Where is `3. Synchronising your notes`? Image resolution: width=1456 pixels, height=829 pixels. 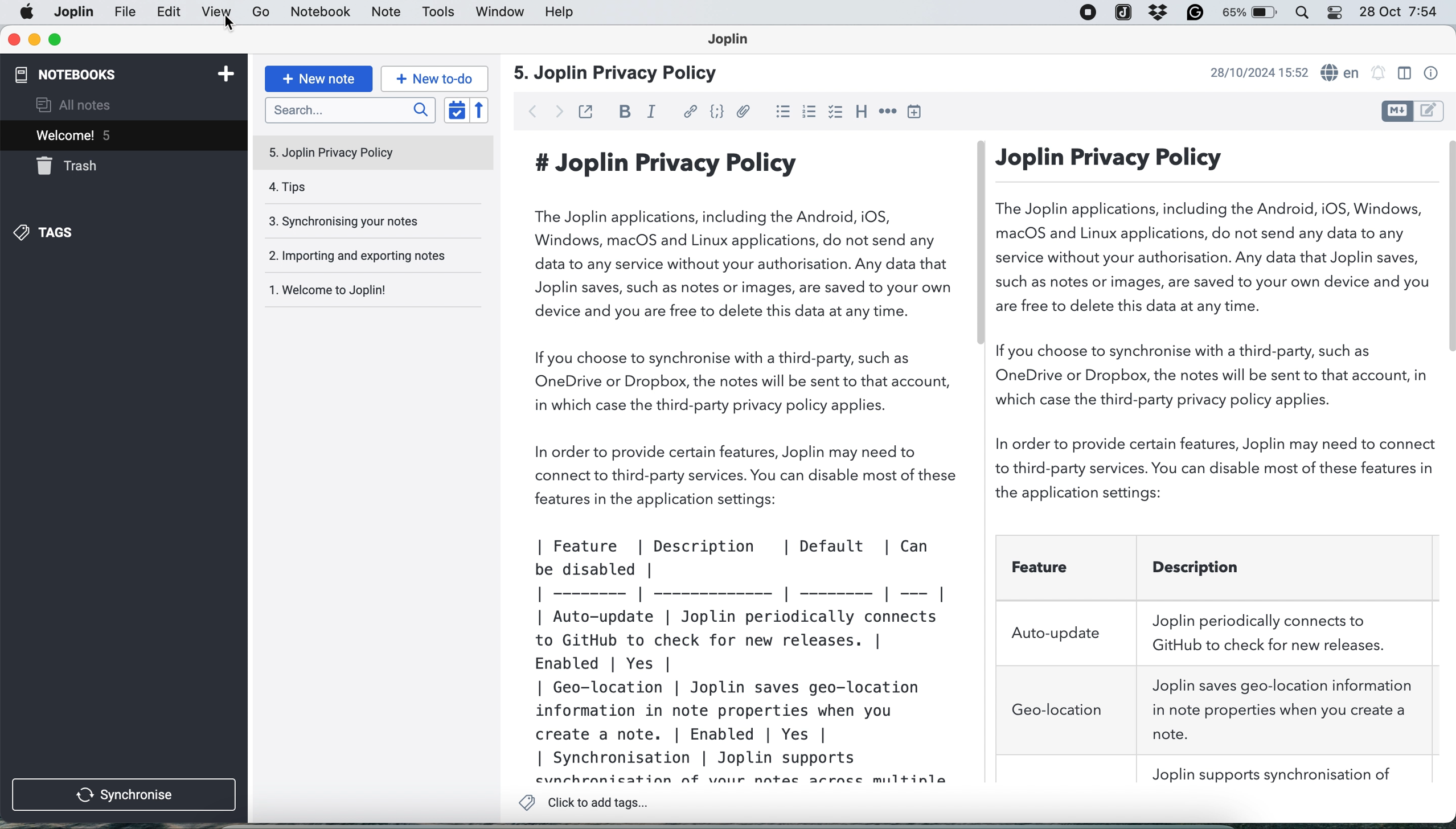
3. Synchronising your notes is located at coordinates (368, 223).